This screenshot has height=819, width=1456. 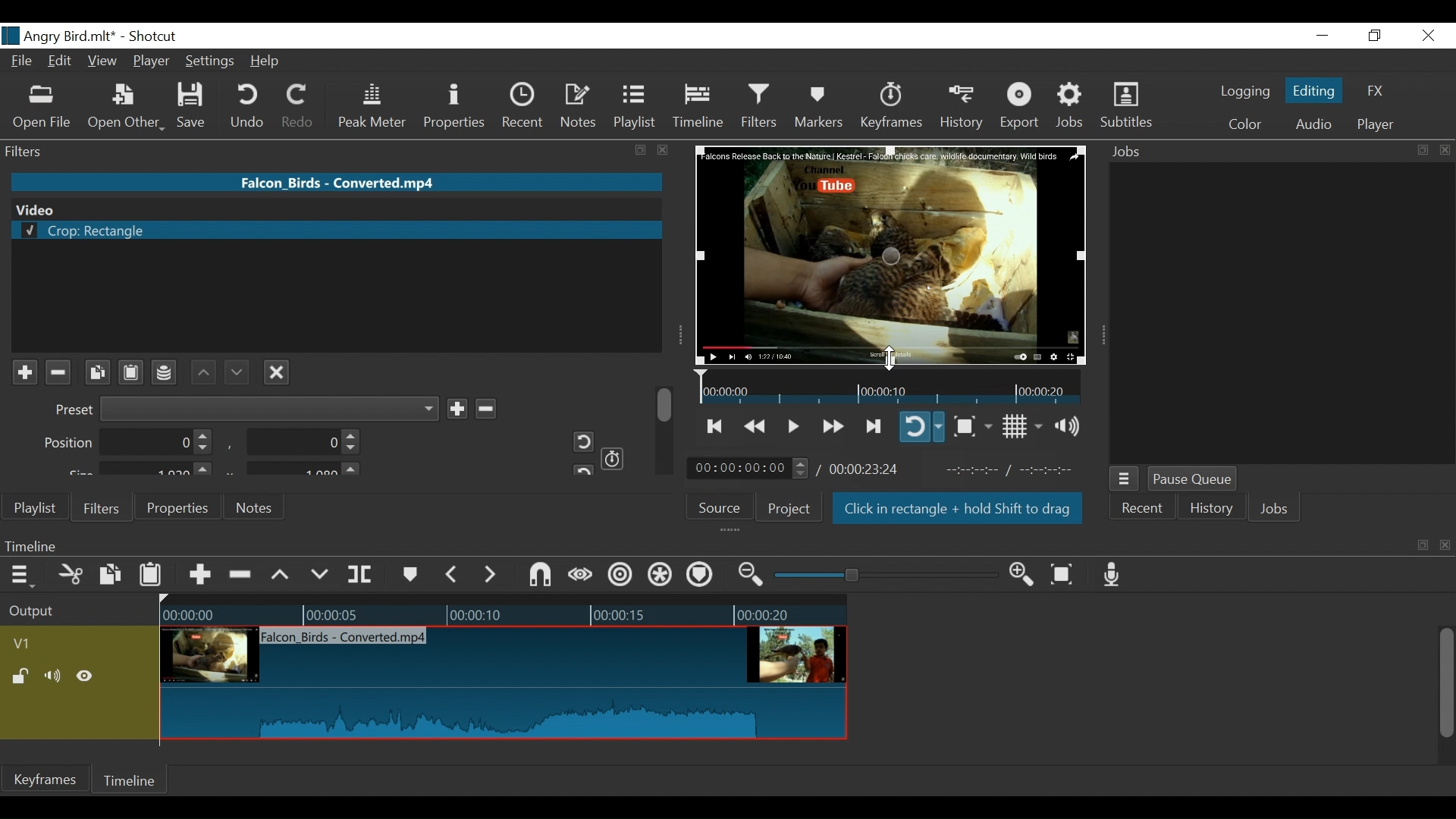 I want to click on Zoom timeline in, so click(x=1026, y=576).